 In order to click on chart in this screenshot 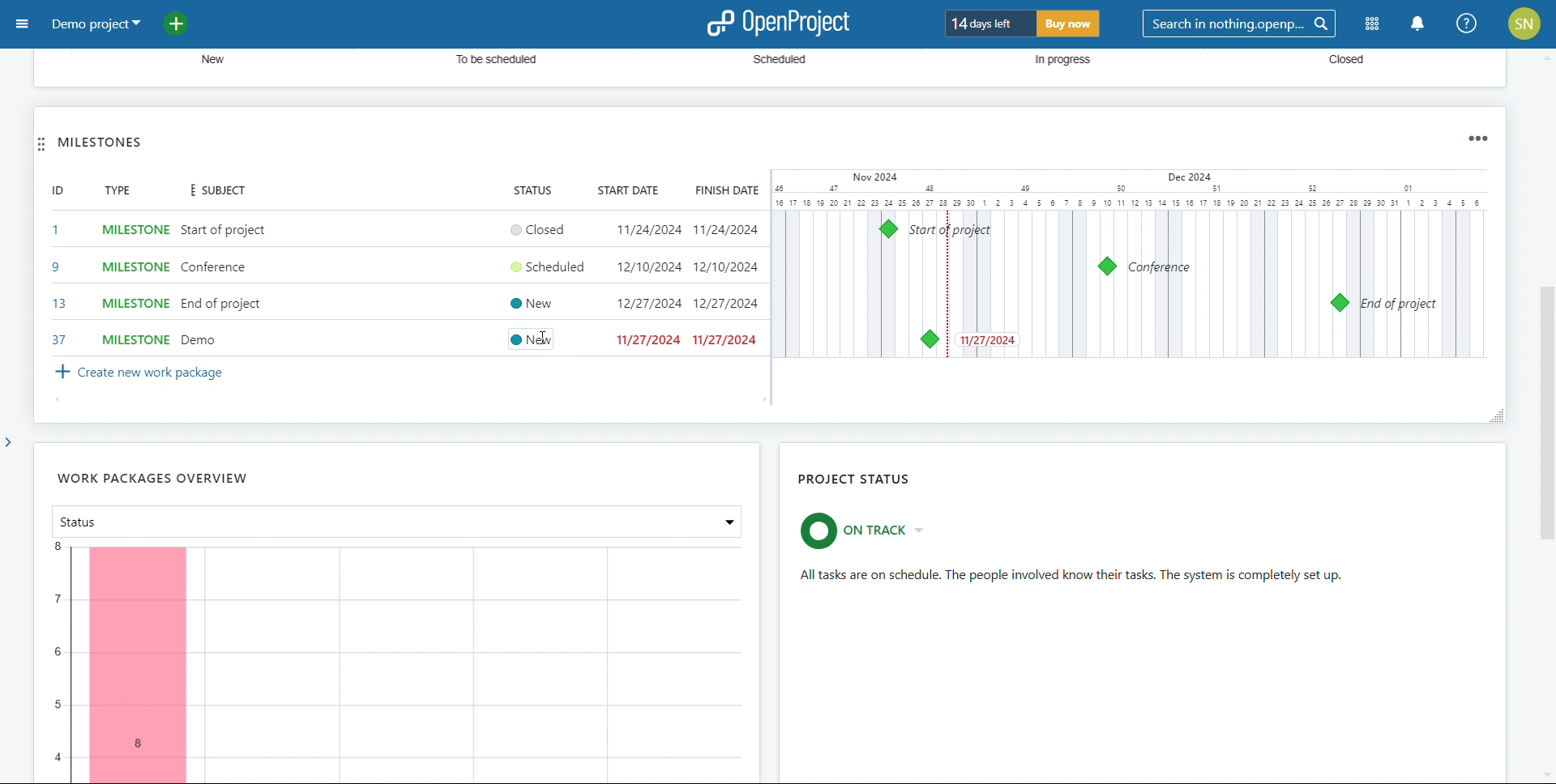, I will do `click(398, 662)`.